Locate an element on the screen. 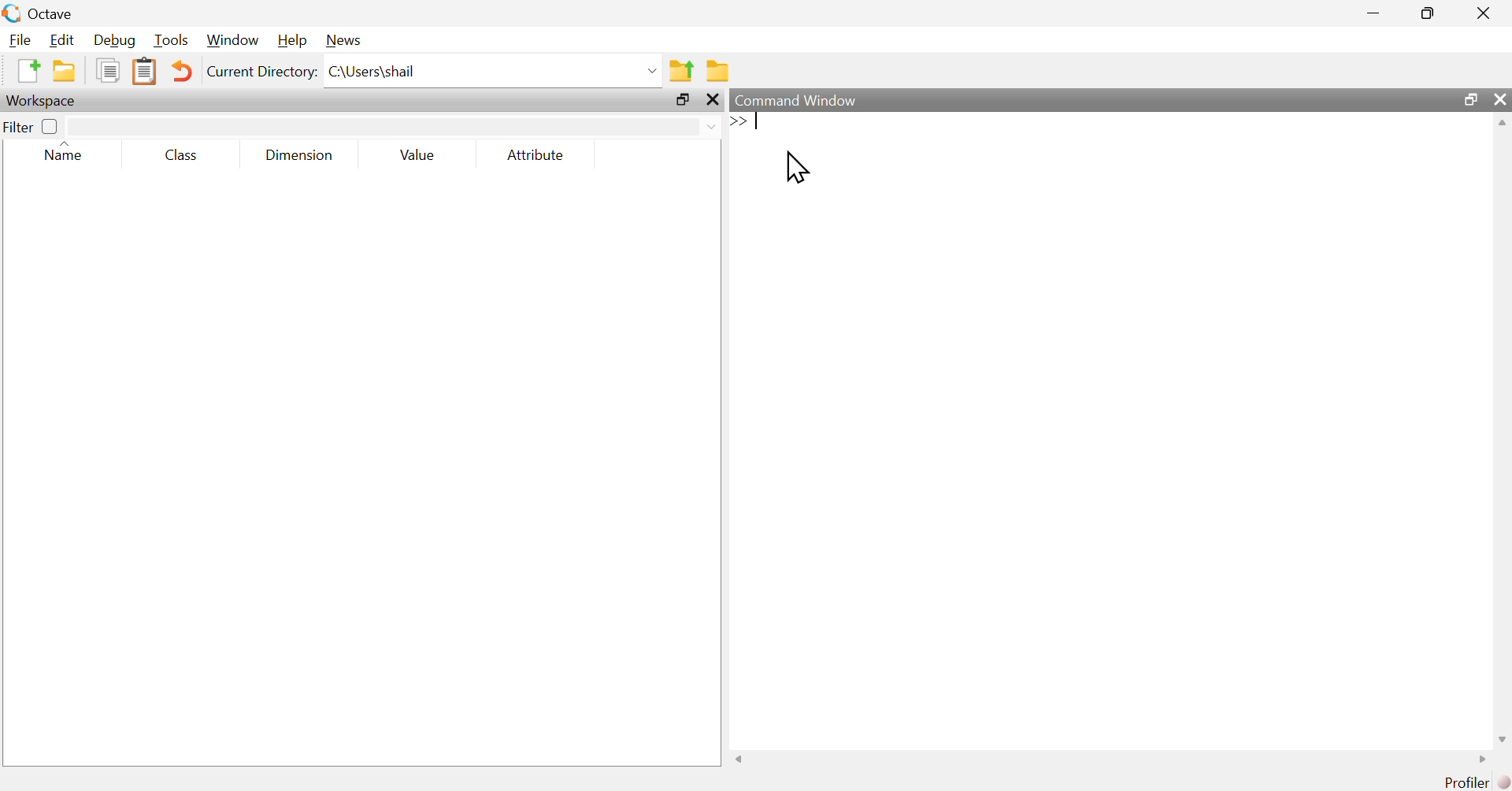 The width and height of the screenshot is (1512, 791). Edit is located at coordinates (61, 39).